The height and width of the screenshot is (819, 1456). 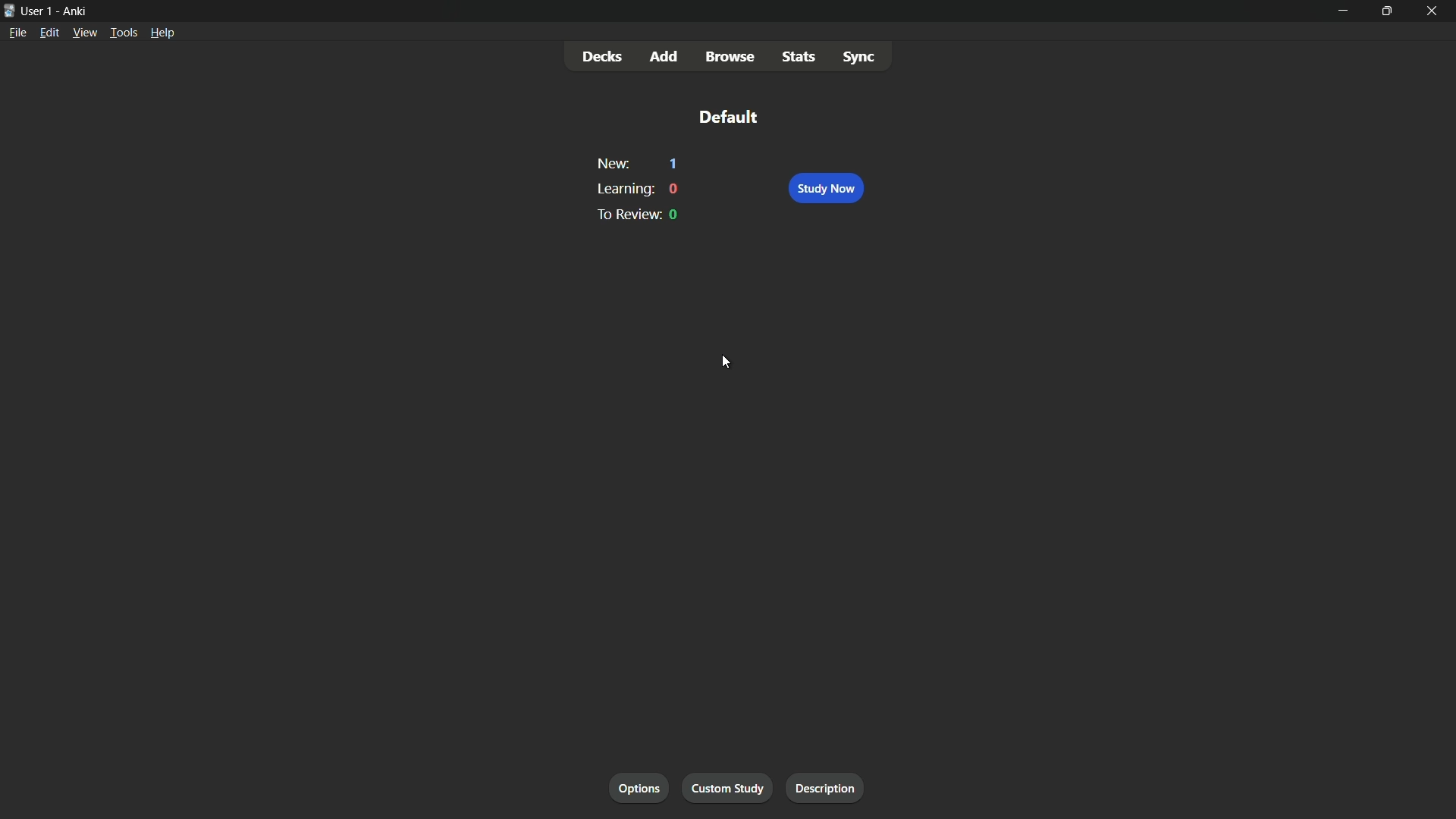 I want to click on browse, so click(x=729, y=58).